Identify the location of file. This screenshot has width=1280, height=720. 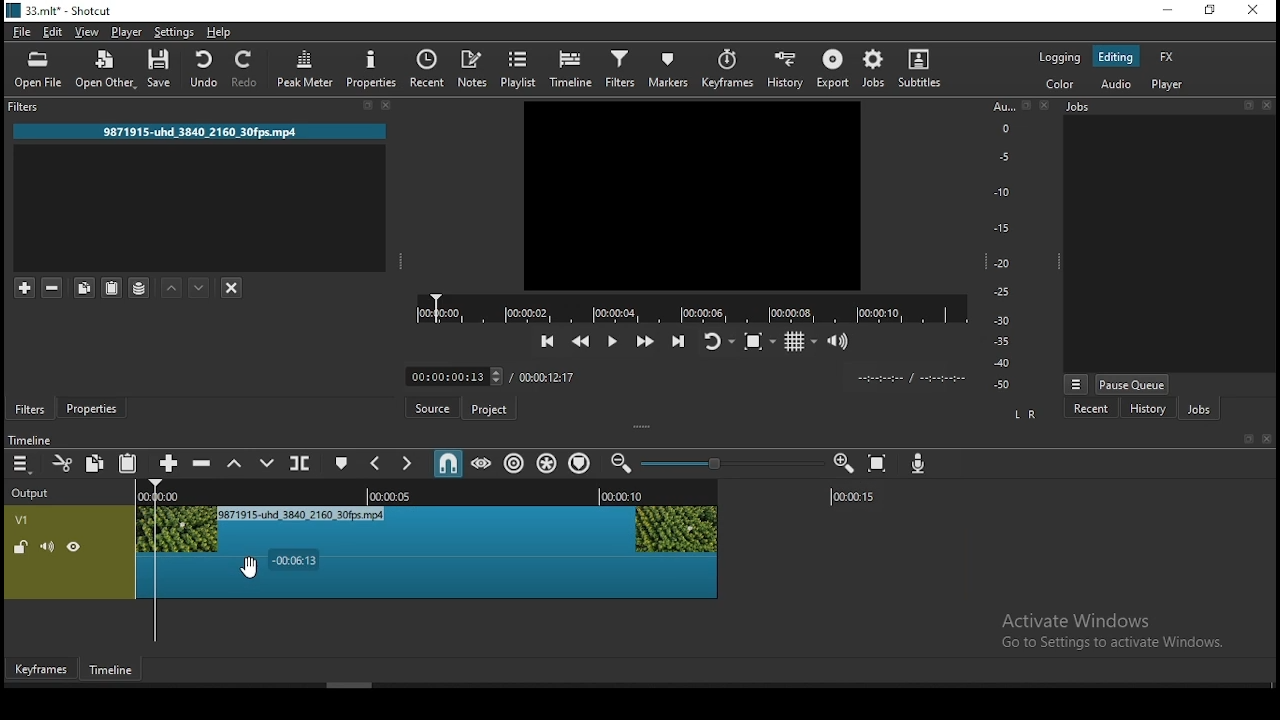
(22, 33).